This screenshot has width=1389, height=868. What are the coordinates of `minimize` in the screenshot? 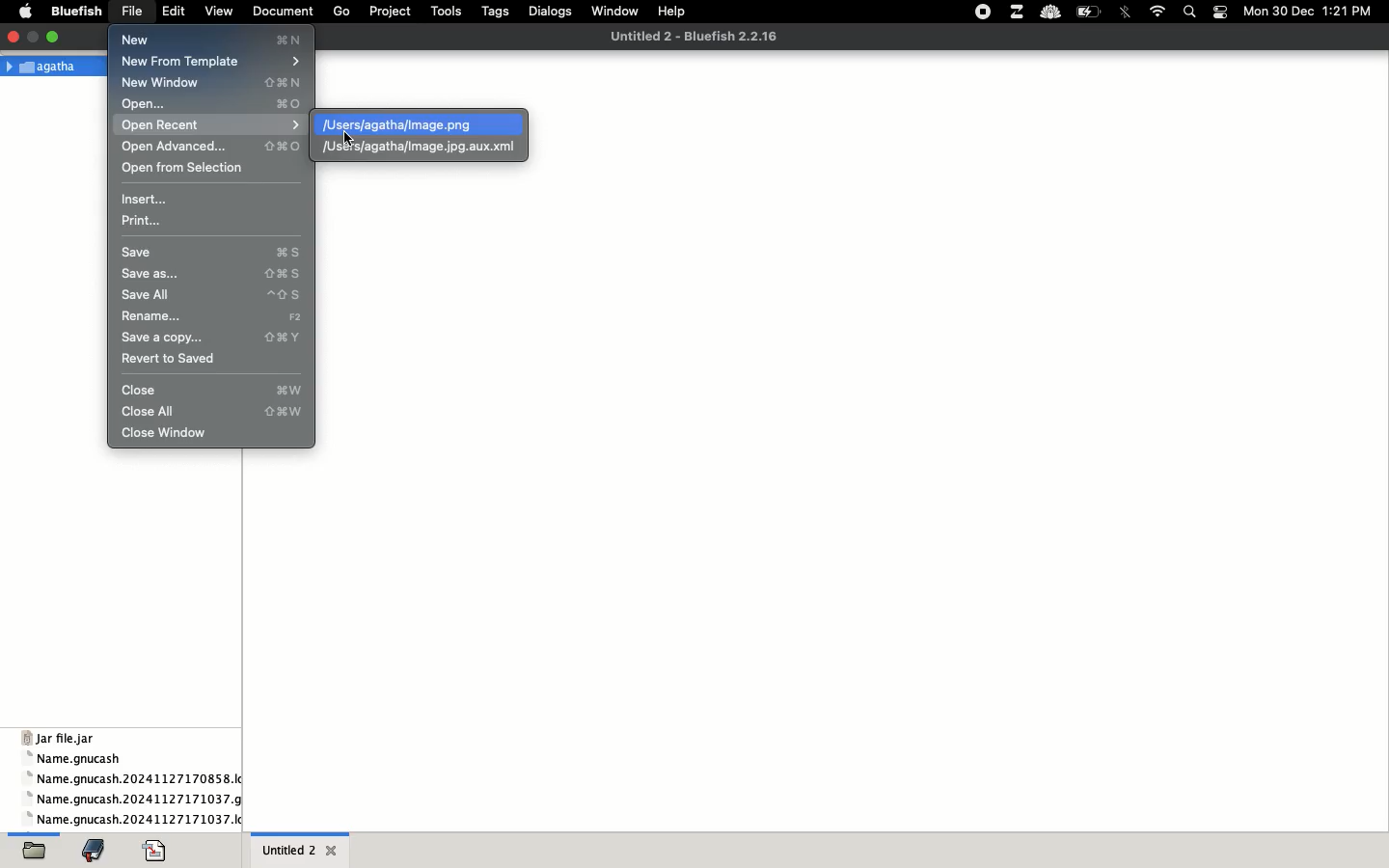 It's located at (54, 38).